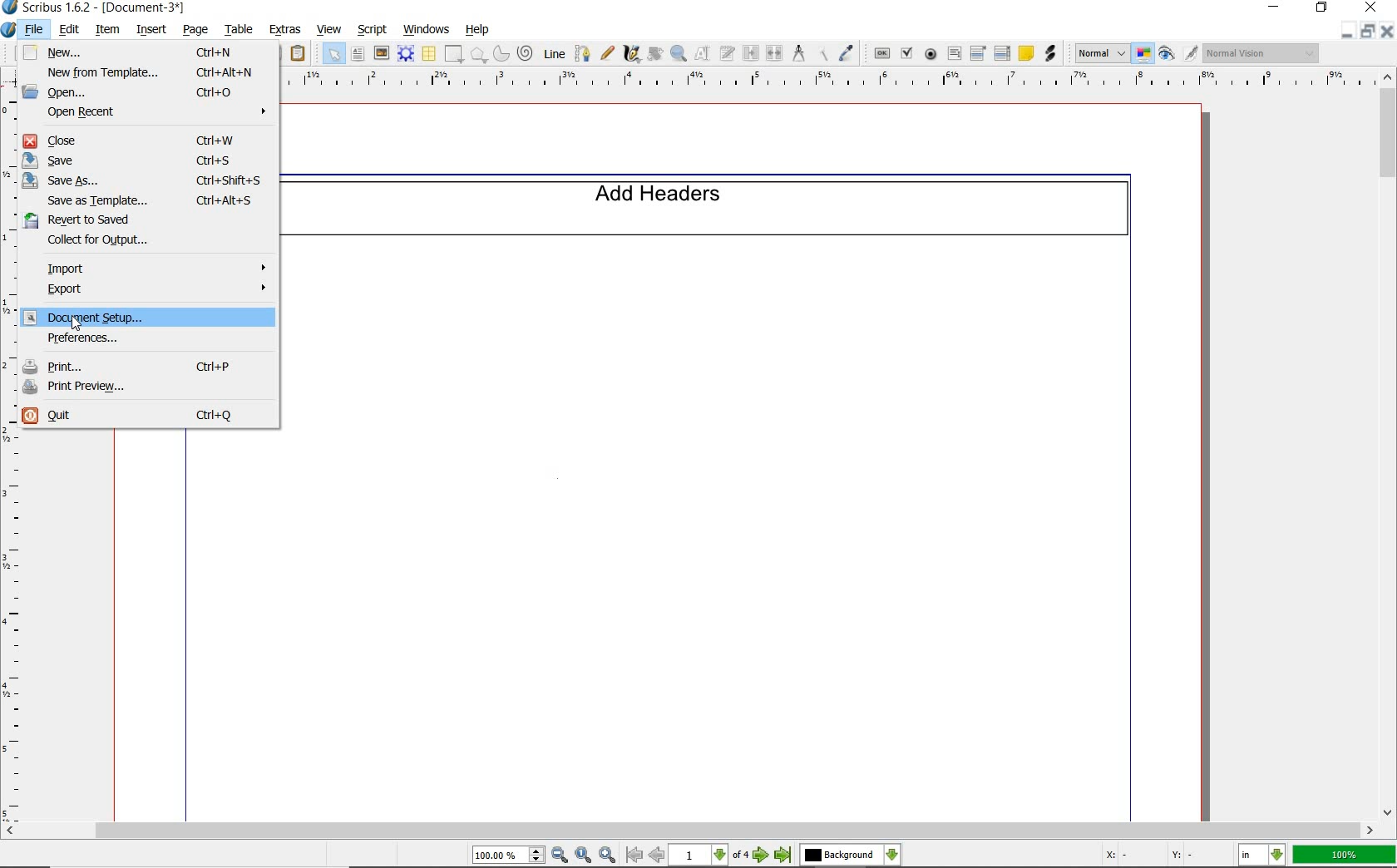  What do you see at coordinates (716, 207) in the screenshot?
I see `Add Headers` at bounding box center [716, 207].